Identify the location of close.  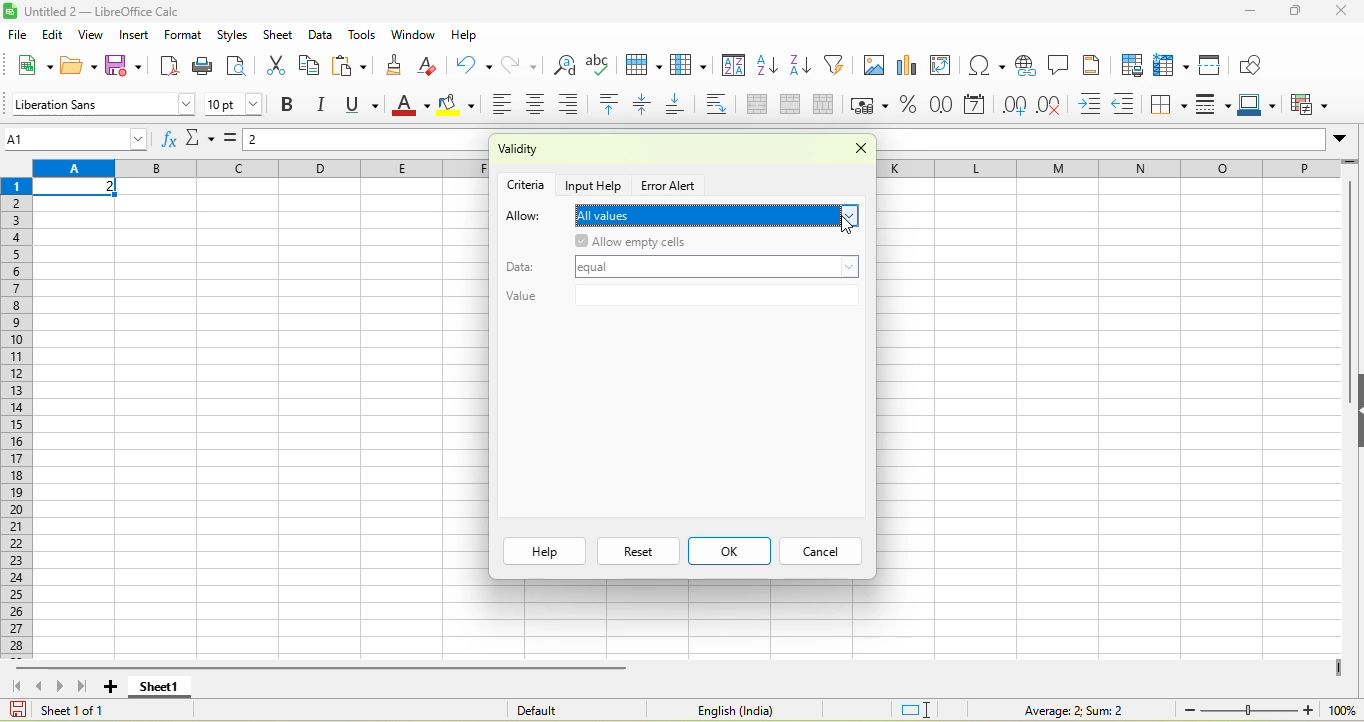
(1344, 10).